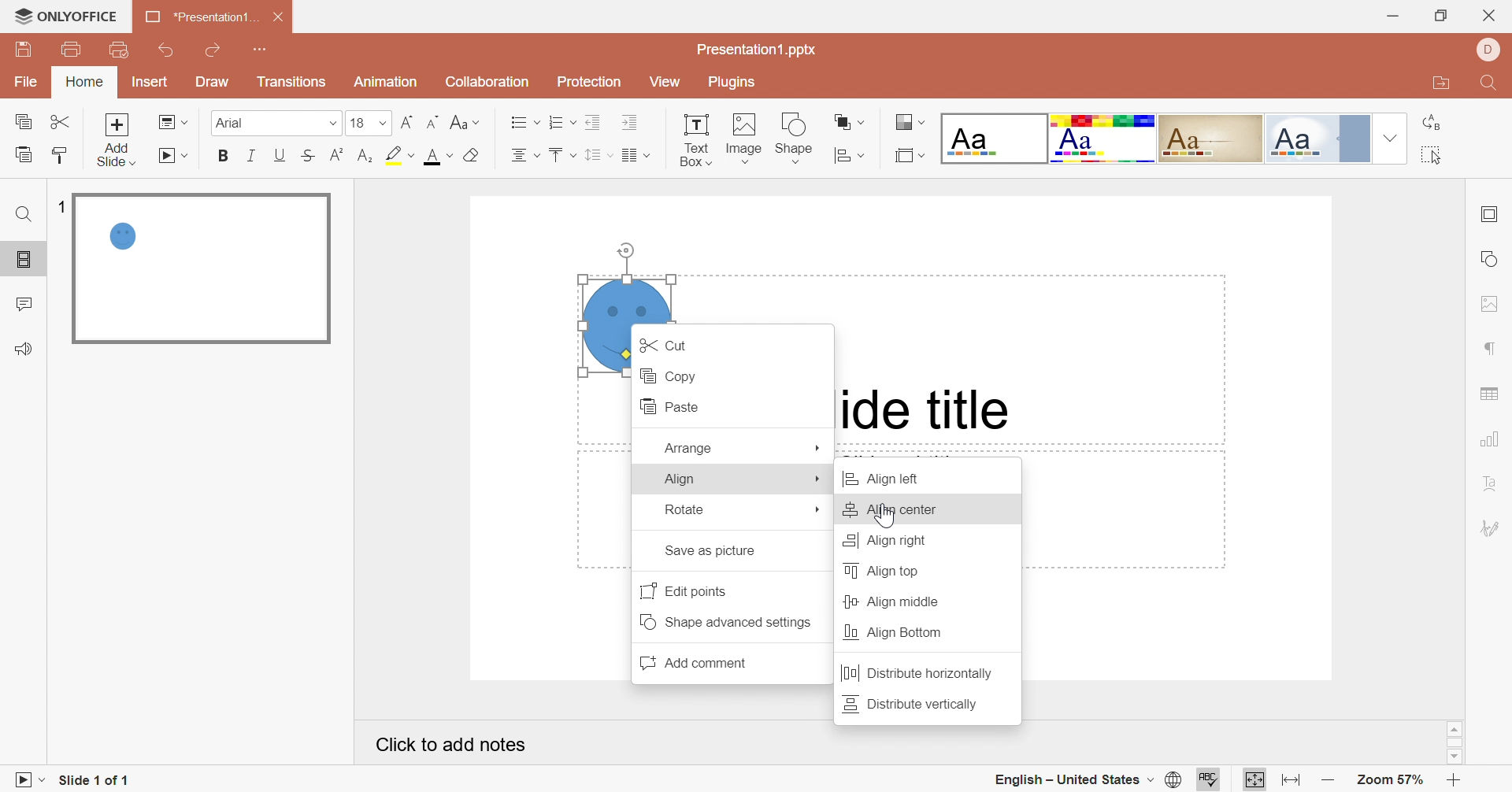  What do you see at coordinates (200, 269) in the screenshot?
I see `Slide 1` at bounding box center [200, 269].